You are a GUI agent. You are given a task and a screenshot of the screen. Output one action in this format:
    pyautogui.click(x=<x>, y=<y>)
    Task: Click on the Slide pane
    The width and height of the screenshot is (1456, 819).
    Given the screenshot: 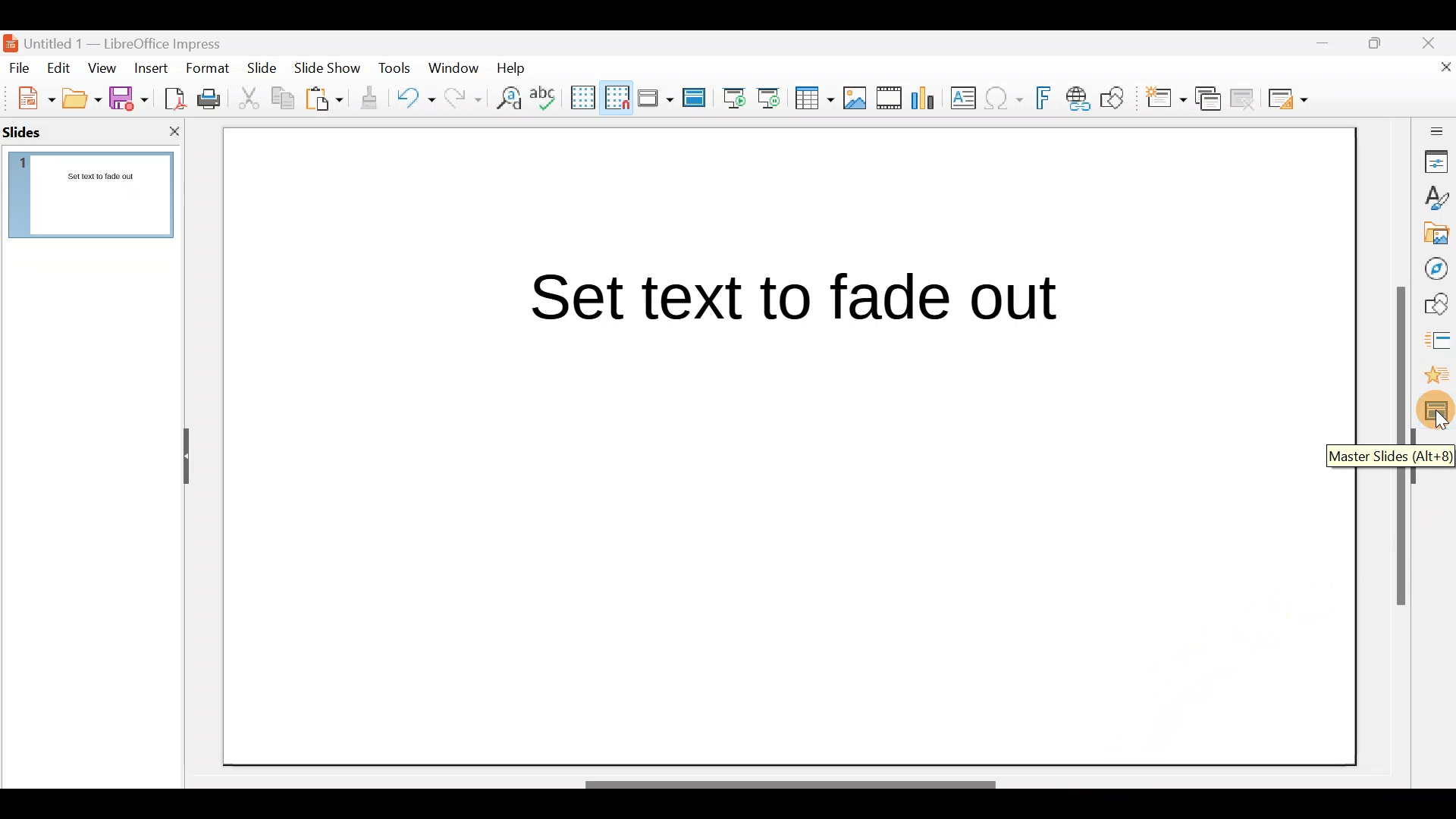 What is the action you would take?
    pyautogui.click(x=100, y=200)
    